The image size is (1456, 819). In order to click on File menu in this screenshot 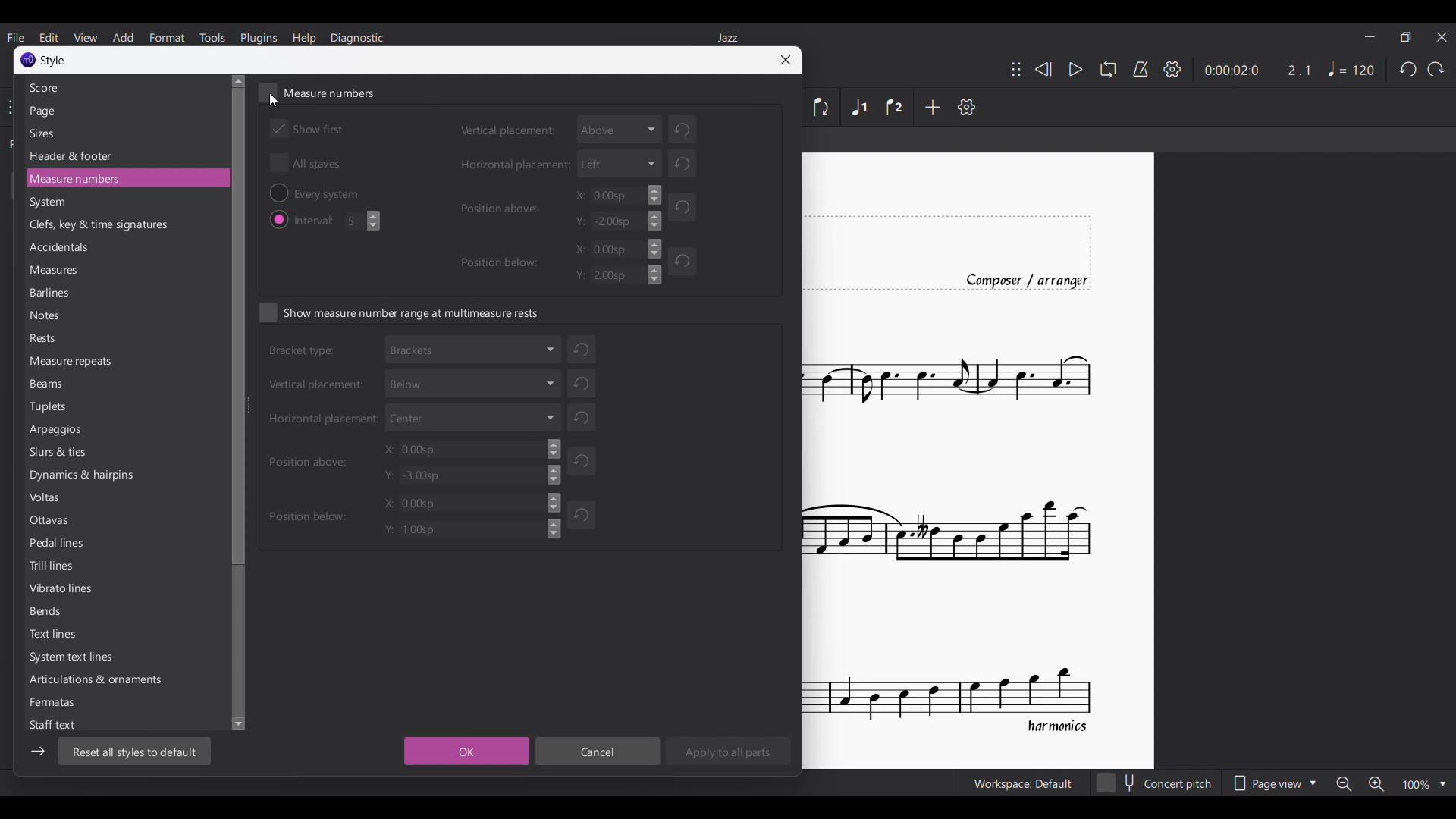, I will do `click(15, 37)`.